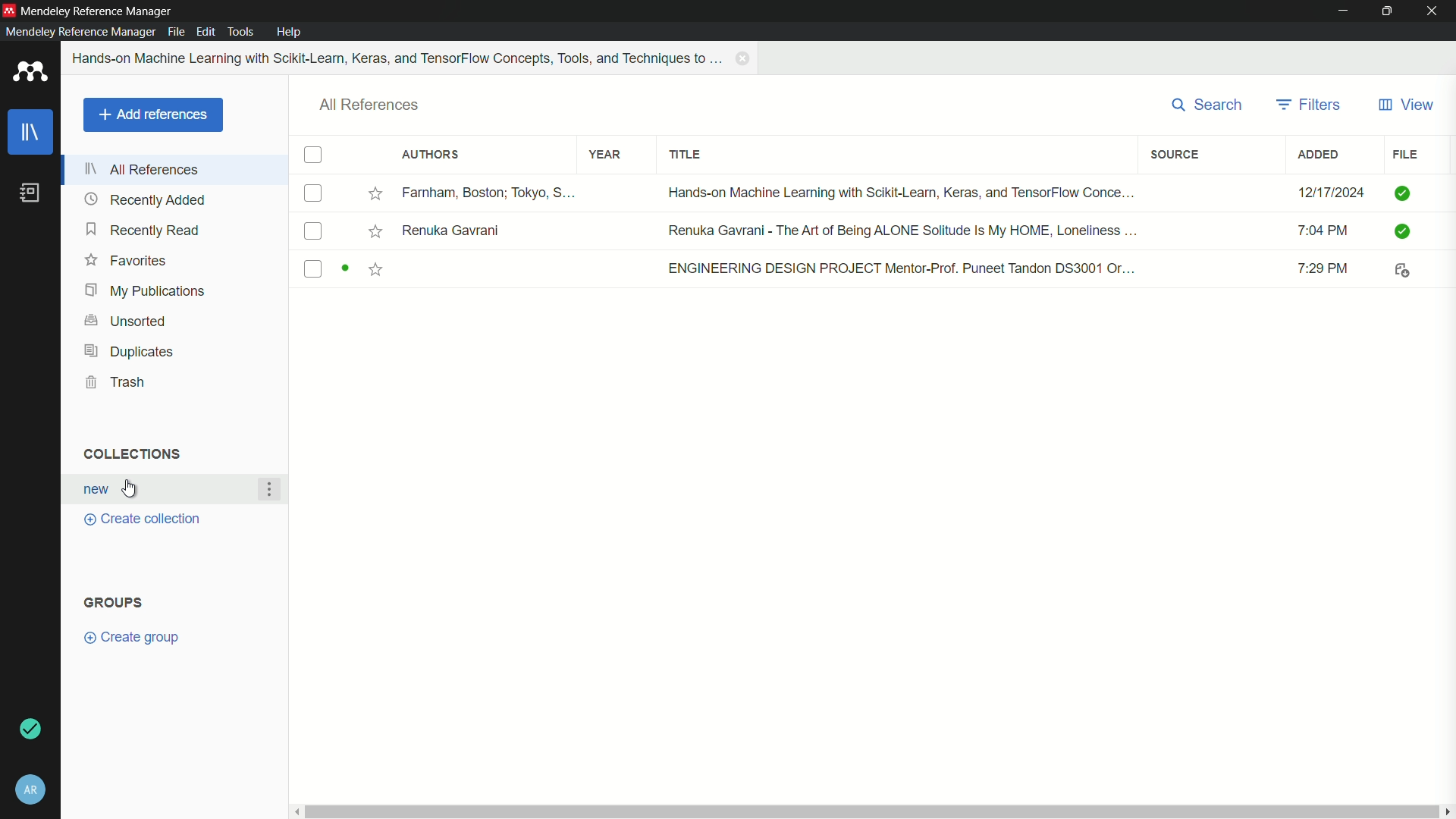 The height and width of the screenshot is (819, 1456). Describe the element at coordinates (745, 58) in the screenshot. I see `close book` at that location.